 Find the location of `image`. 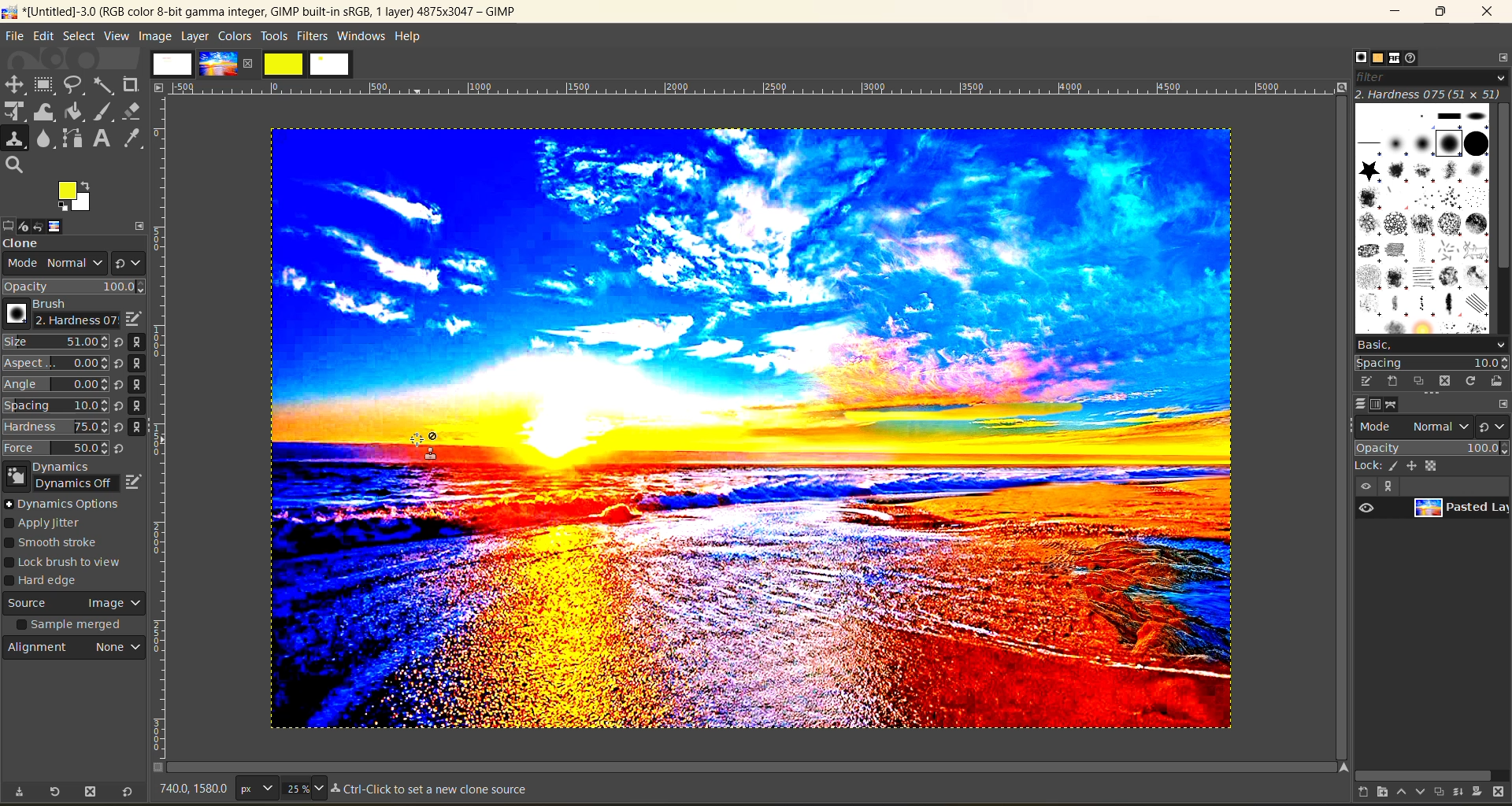

image is located at coordinates (217, 64).